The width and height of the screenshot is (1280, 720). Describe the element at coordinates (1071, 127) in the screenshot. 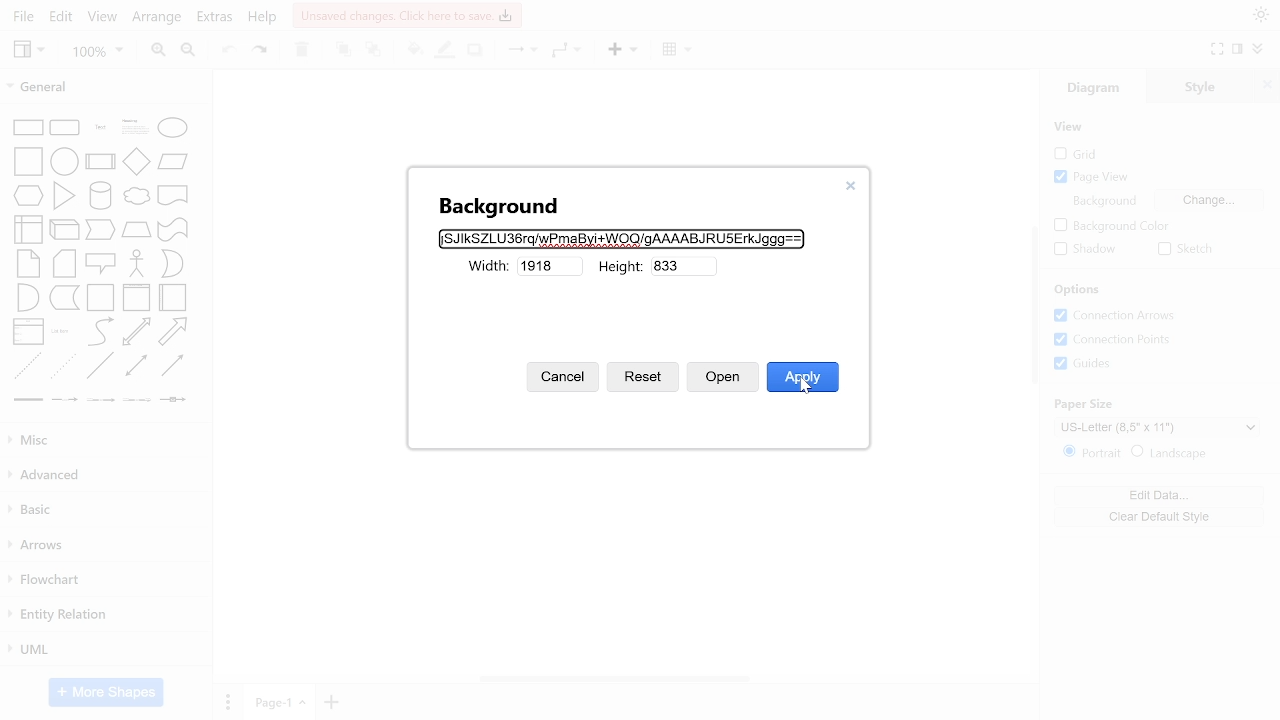

I see `View` at that location.